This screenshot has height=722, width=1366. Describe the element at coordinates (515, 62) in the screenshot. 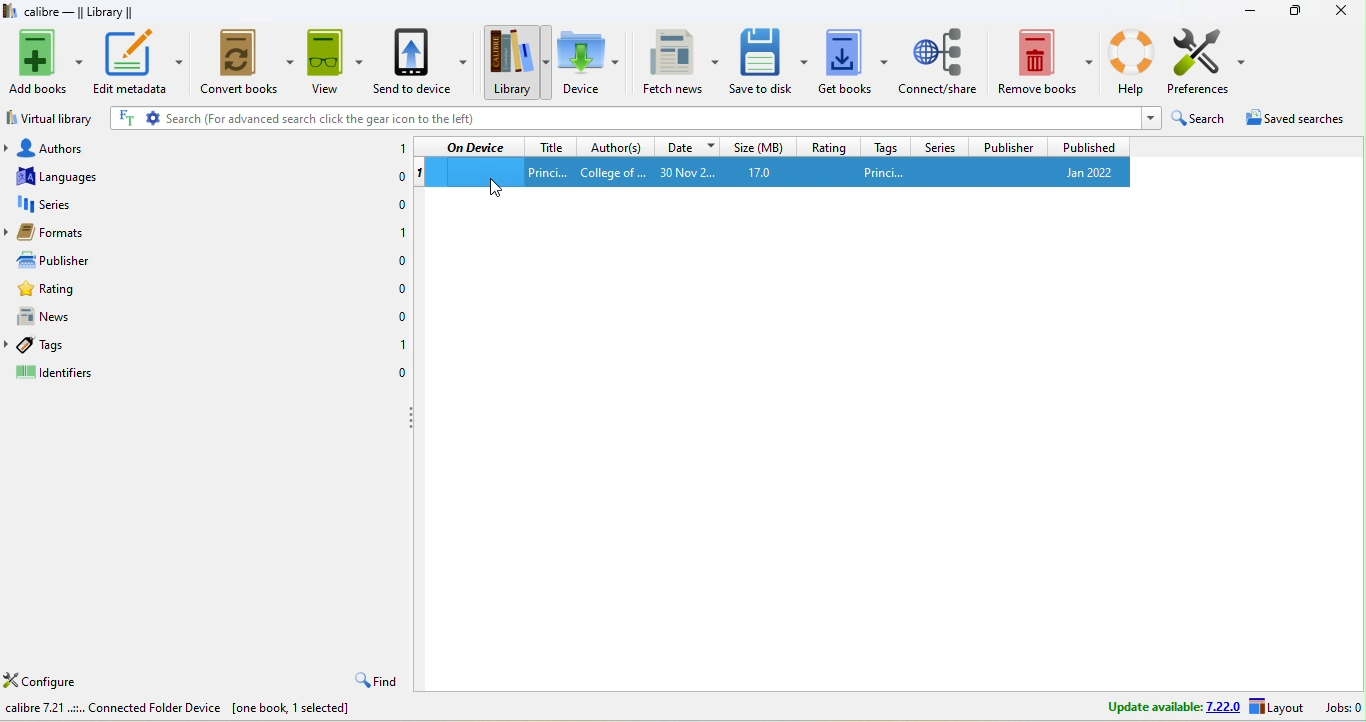

I see `library` at that location.